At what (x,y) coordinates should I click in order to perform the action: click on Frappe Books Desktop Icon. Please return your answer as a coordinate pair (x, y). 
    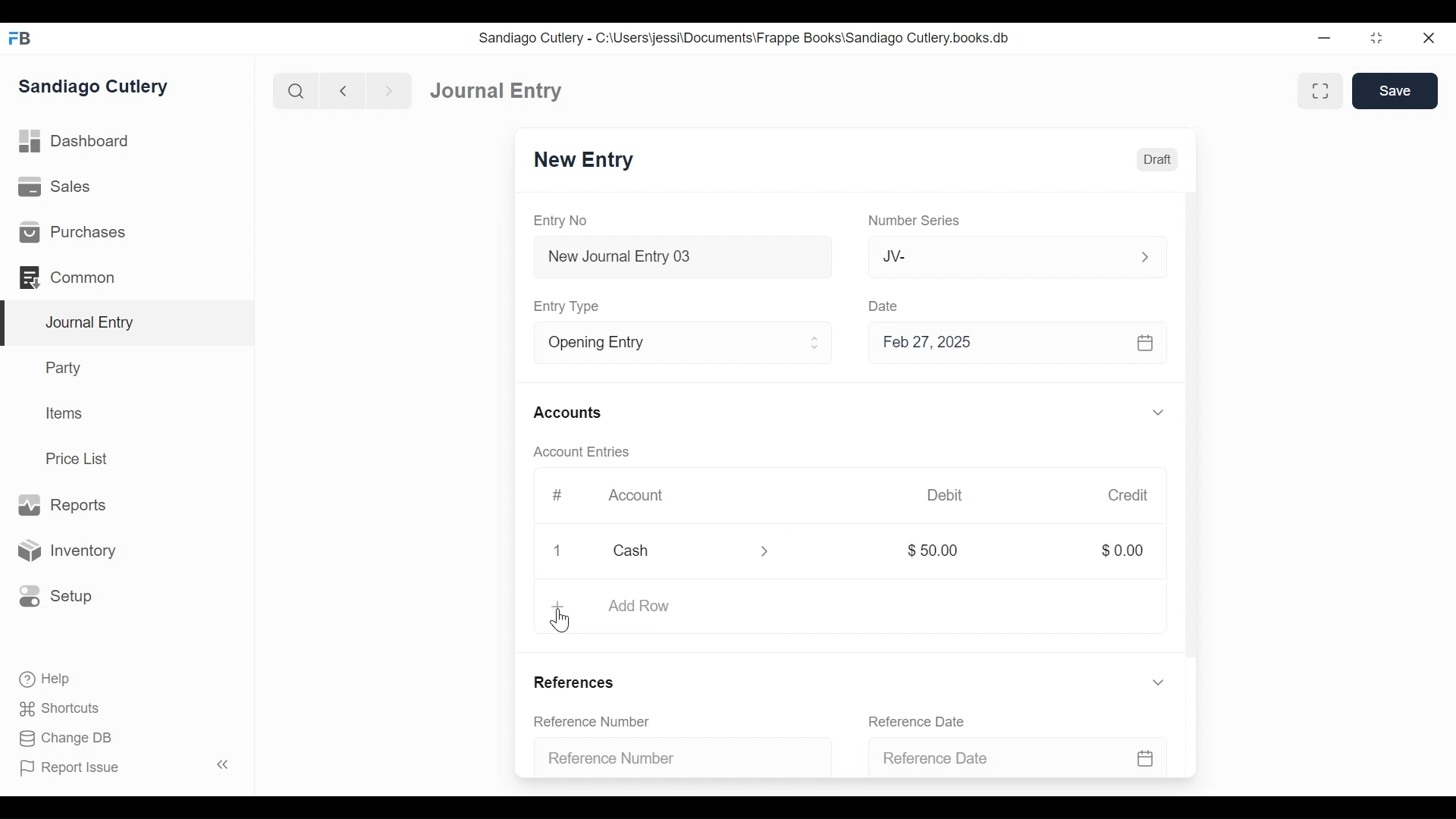
    Looking at the image, I should click on (20, 39).